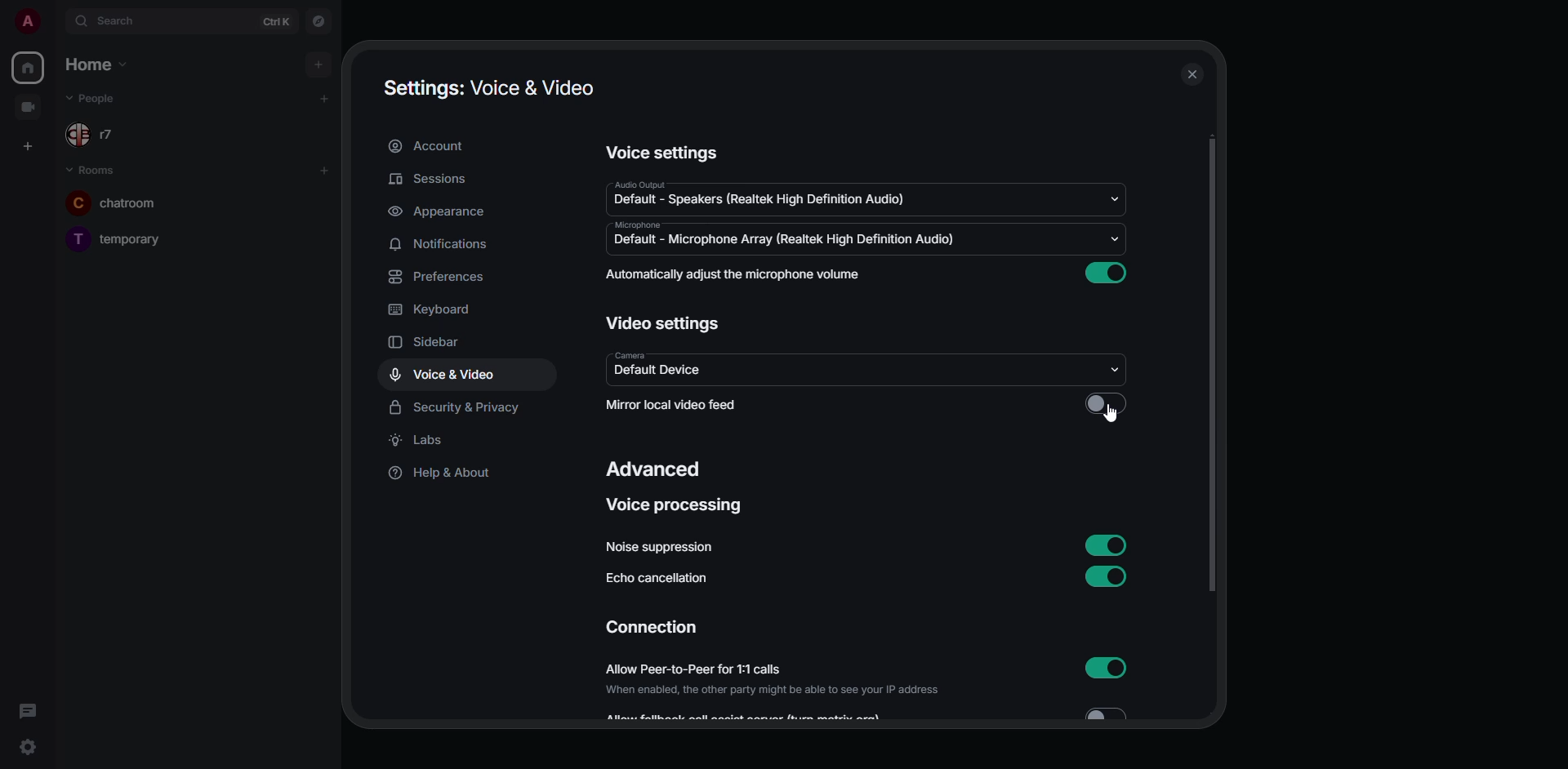  I want to click on close, so click(1194, 75).